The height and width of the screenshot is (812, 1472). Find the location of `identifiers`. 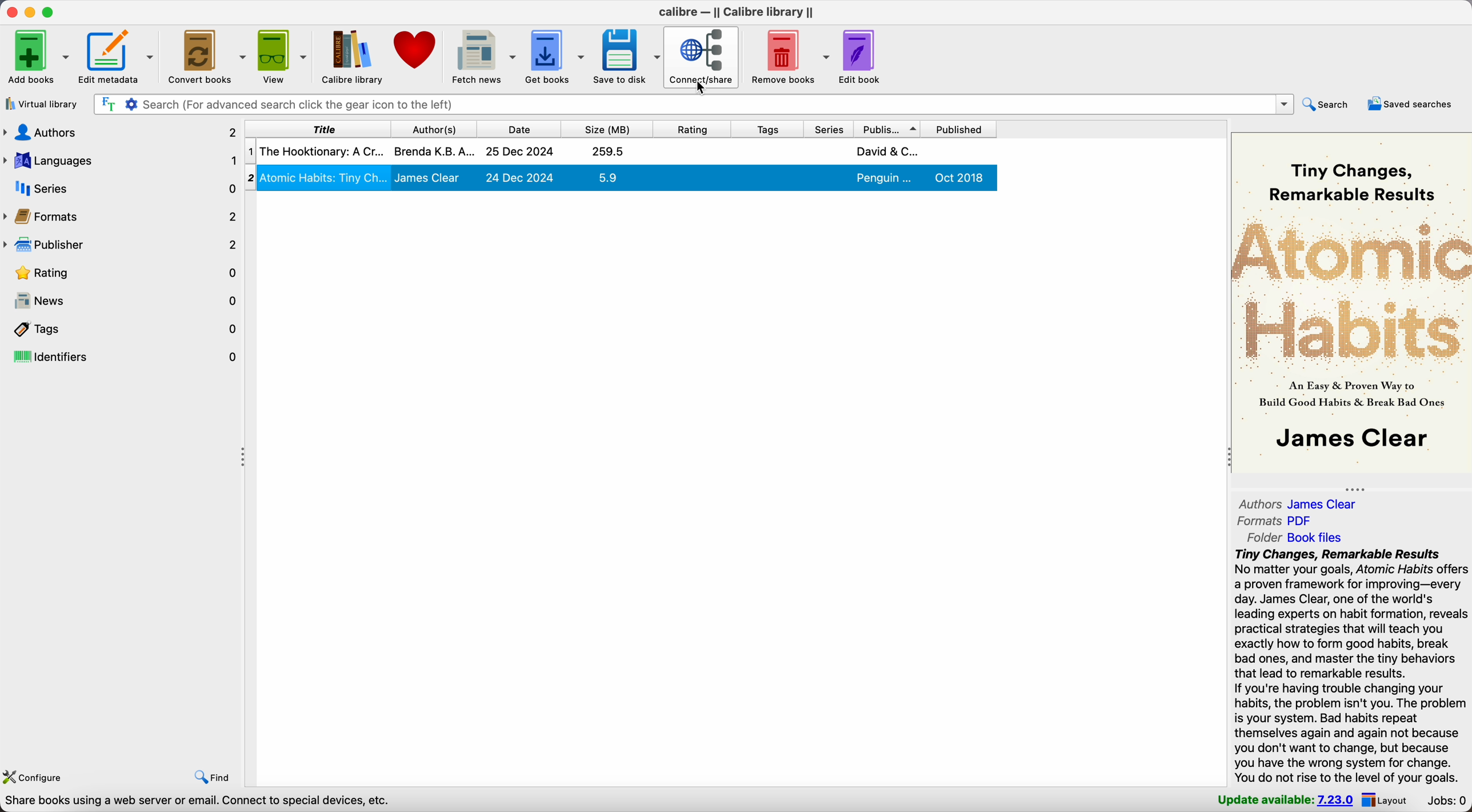

identifiers is located at coordinates (122, 357).